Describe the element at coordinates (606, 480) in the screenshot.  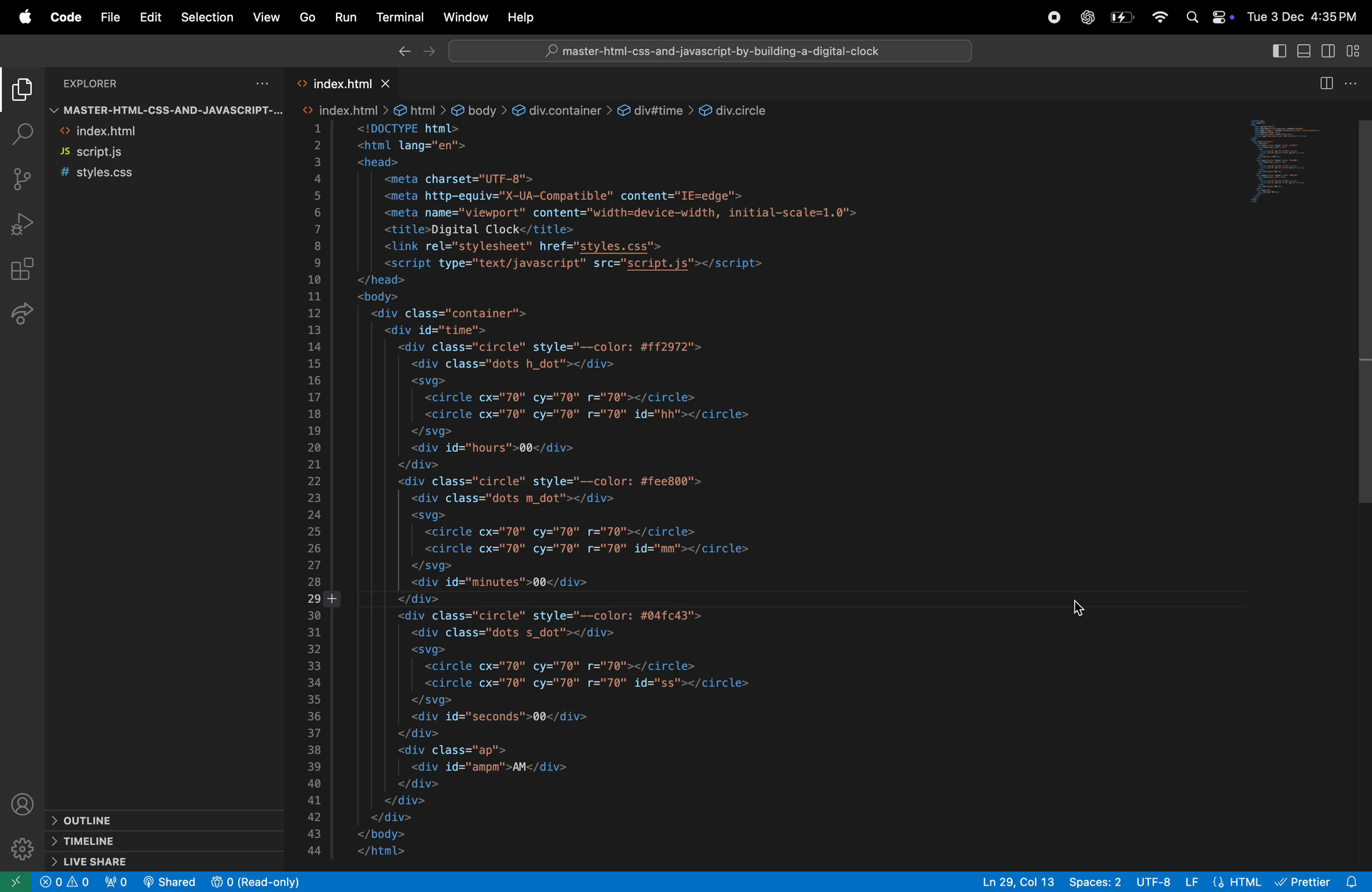
I see `code block` at that location.